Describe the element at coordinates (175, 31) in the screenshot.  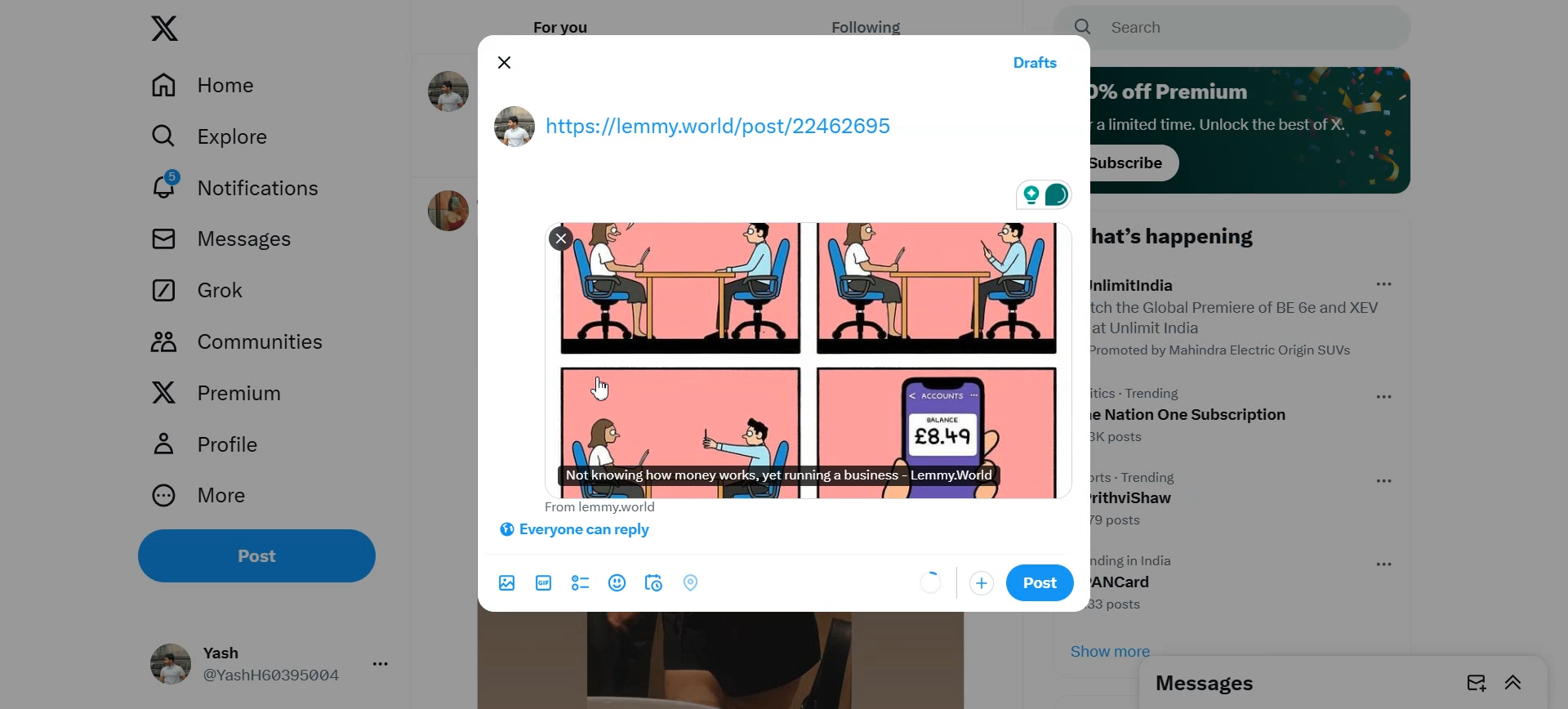
I see `x sign` at that location.